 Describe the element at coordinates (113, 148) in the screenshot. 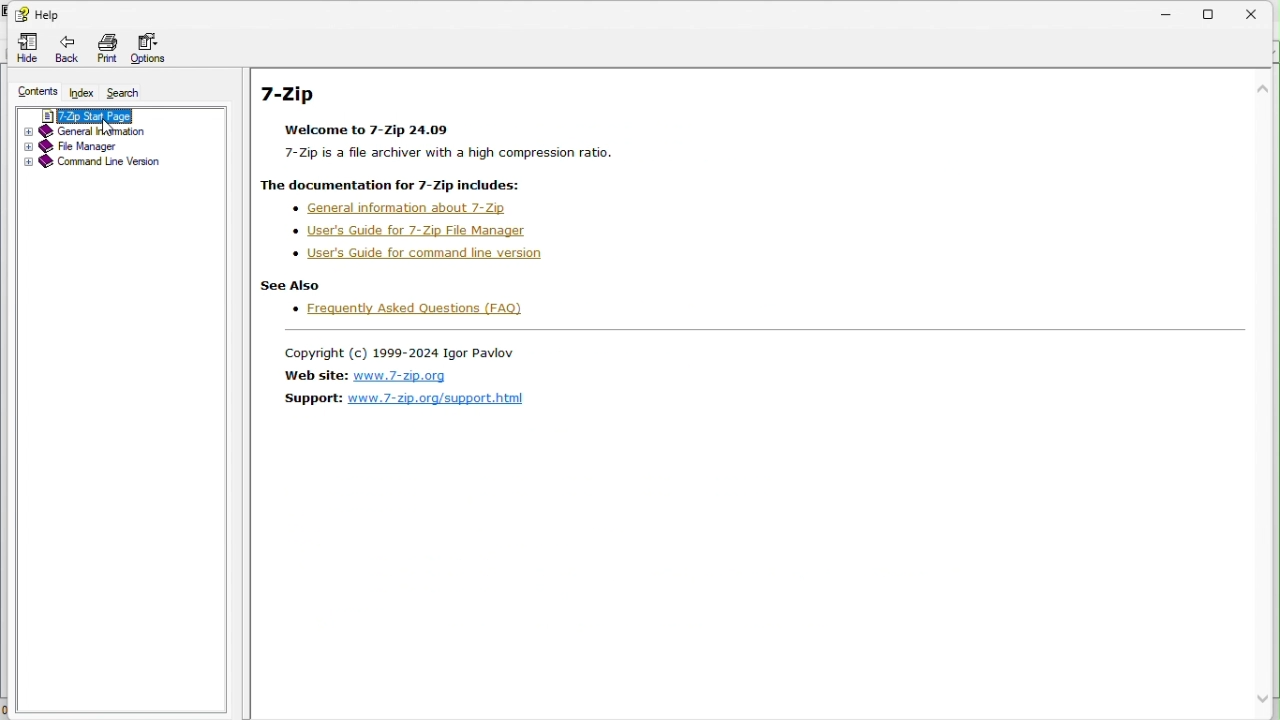

I see `File manager` at that location.